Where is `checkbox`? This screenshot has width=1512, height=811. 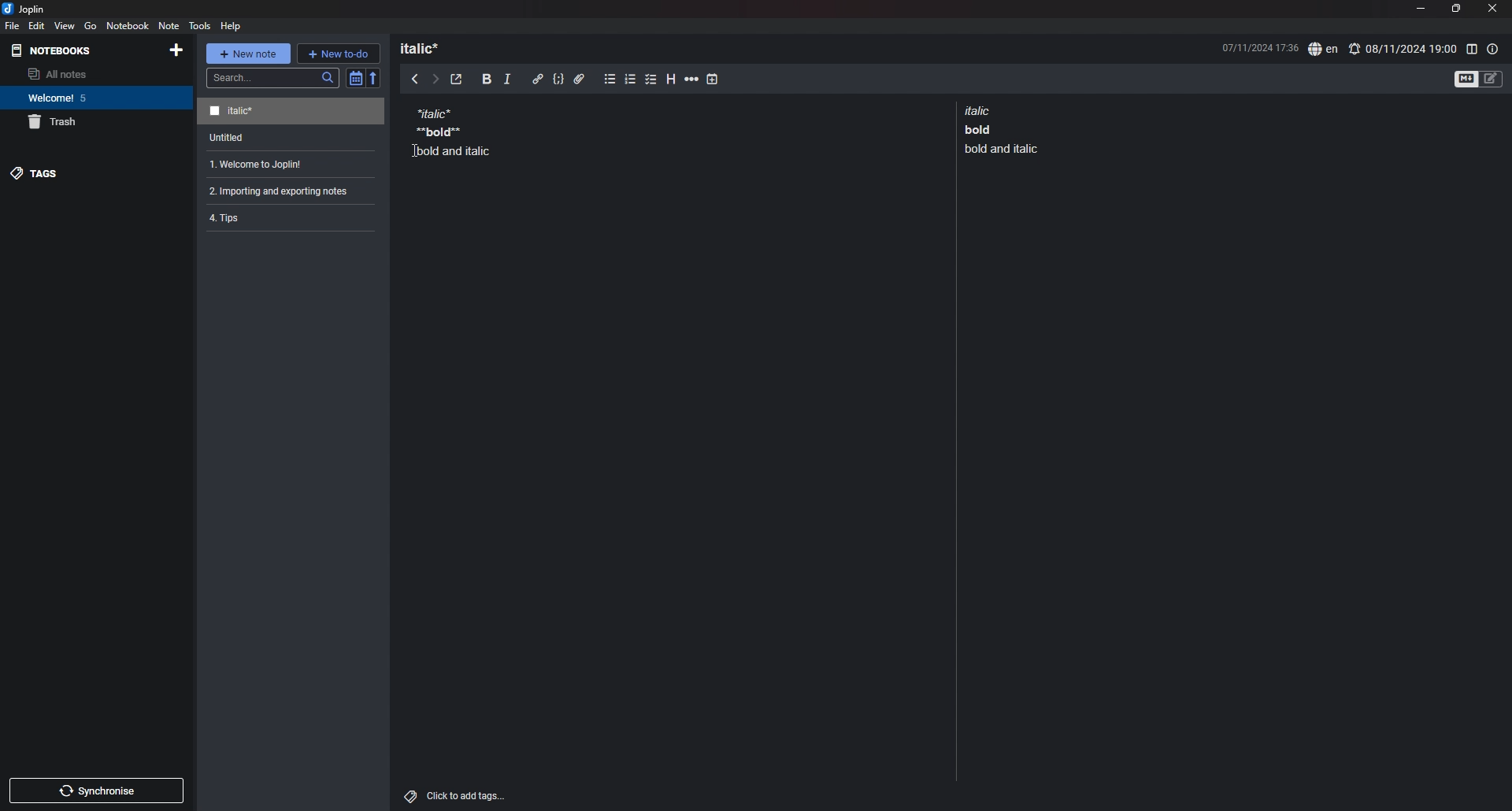 checkbox is located at coordinates (651, 80).